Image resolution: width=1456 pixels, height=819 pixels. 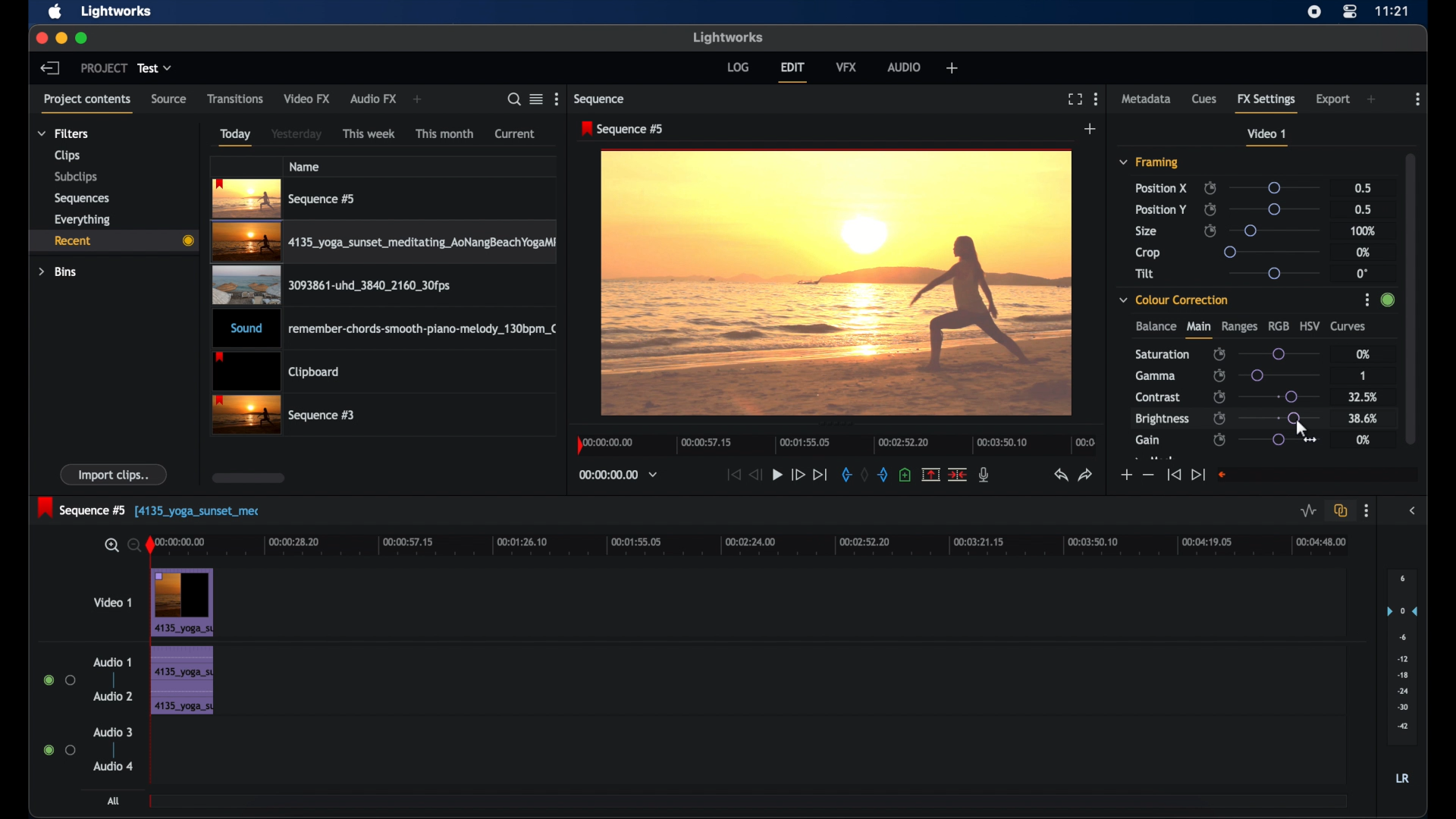 What do you see at coordinates (1147, 98) in the screenshot?
I see `metadata` at bounding box center [1147, 98].